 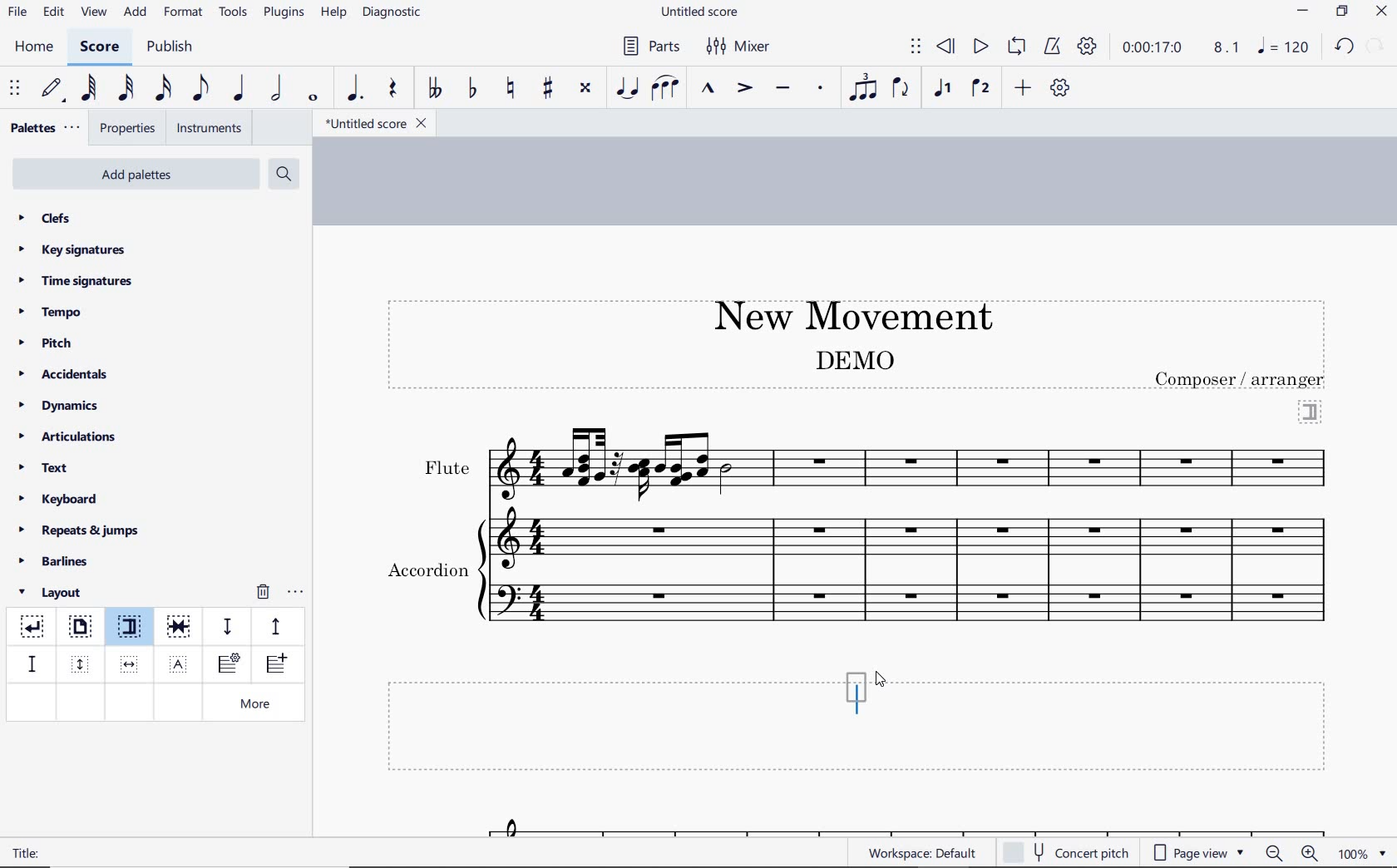 What do you see at coordinates (168, 48) in the screenshot?
I see `publish` at bounding box center [168, 48].